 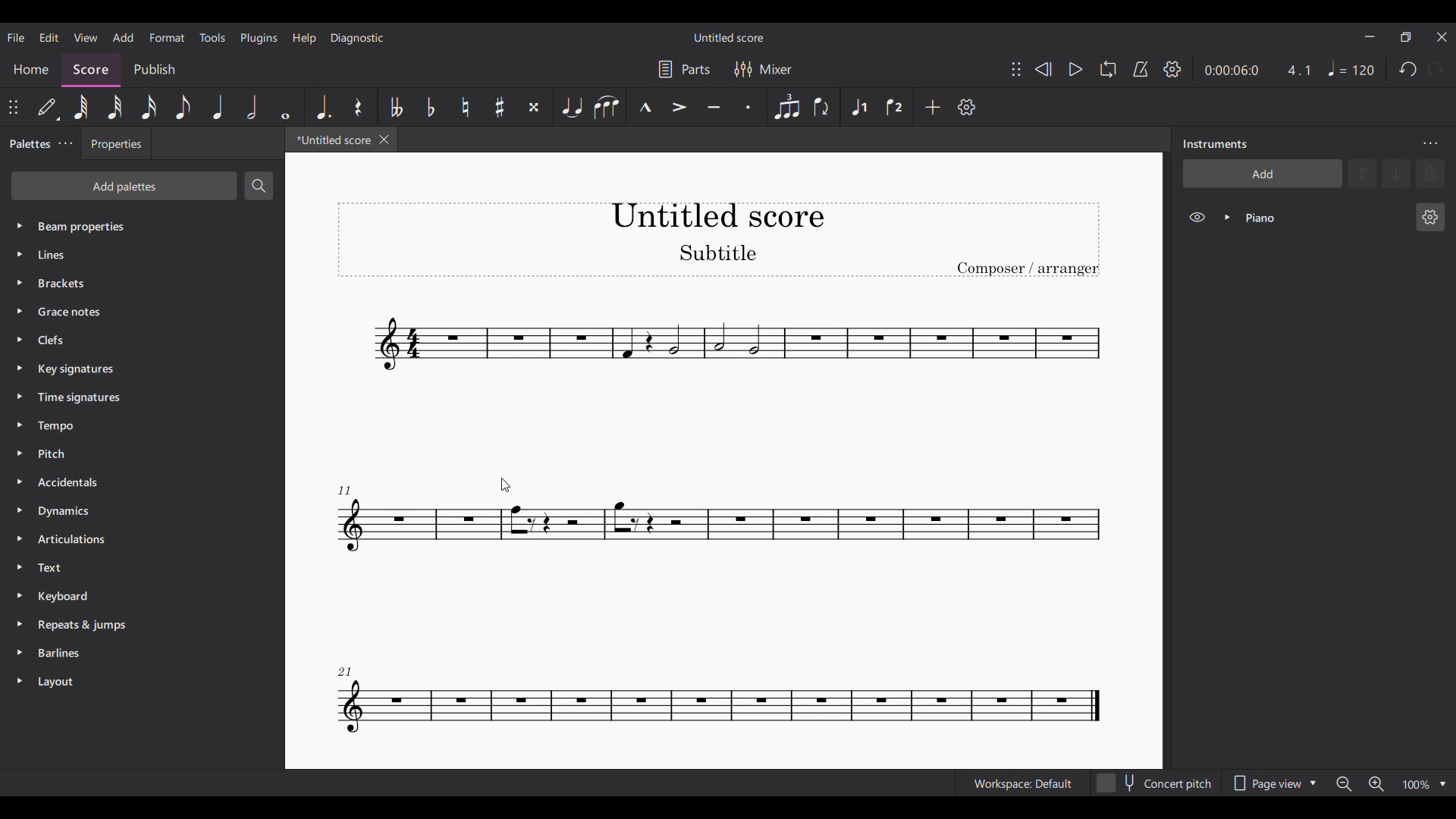 I want to click on Lines, so click(x=135, y=254).